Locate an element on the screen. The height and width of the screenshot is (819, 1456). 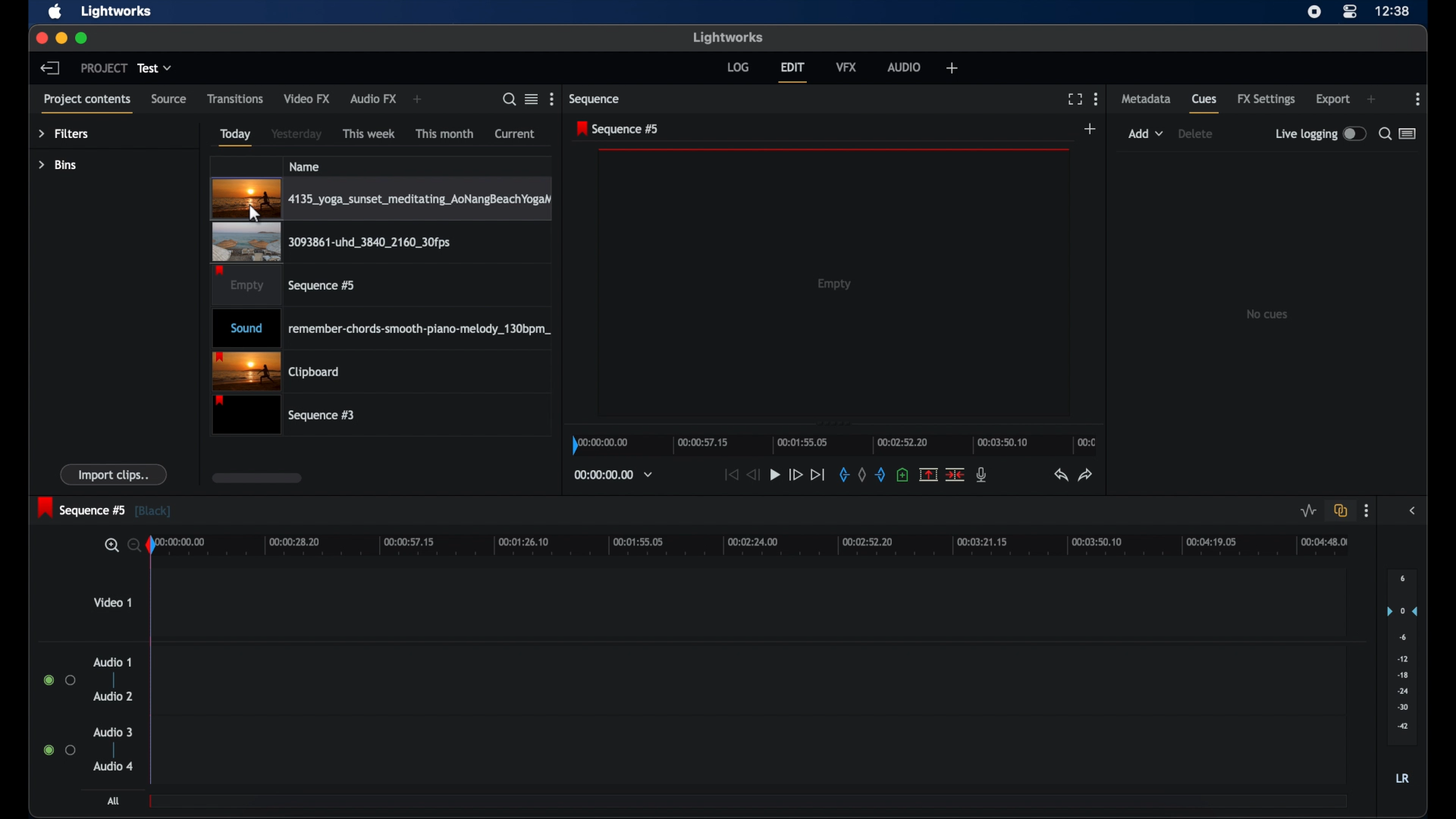
add a cue at current position is located at coordinates (904, 475).